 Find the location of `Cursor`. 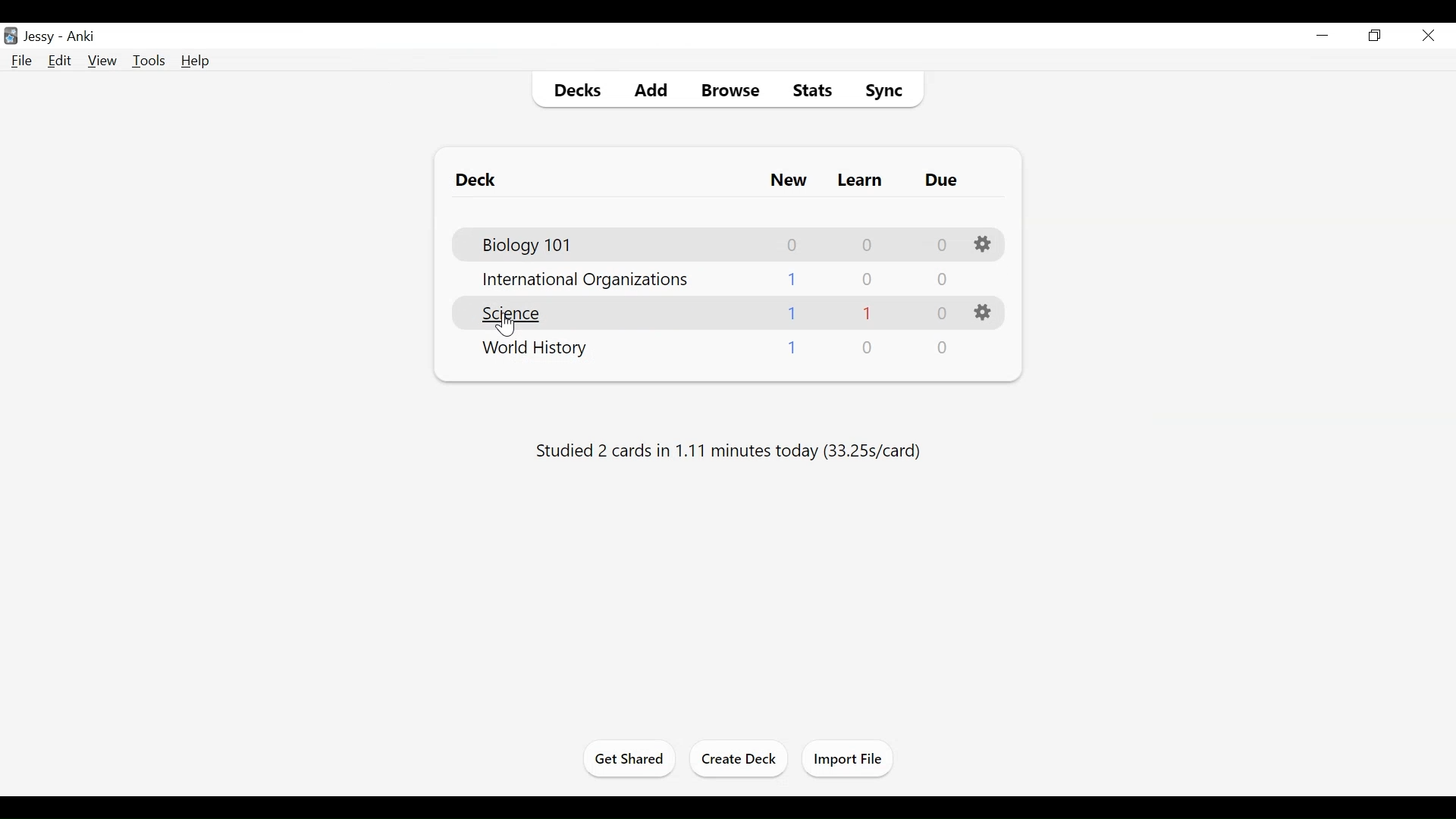

Cursor is located at coordinates (507, 324).